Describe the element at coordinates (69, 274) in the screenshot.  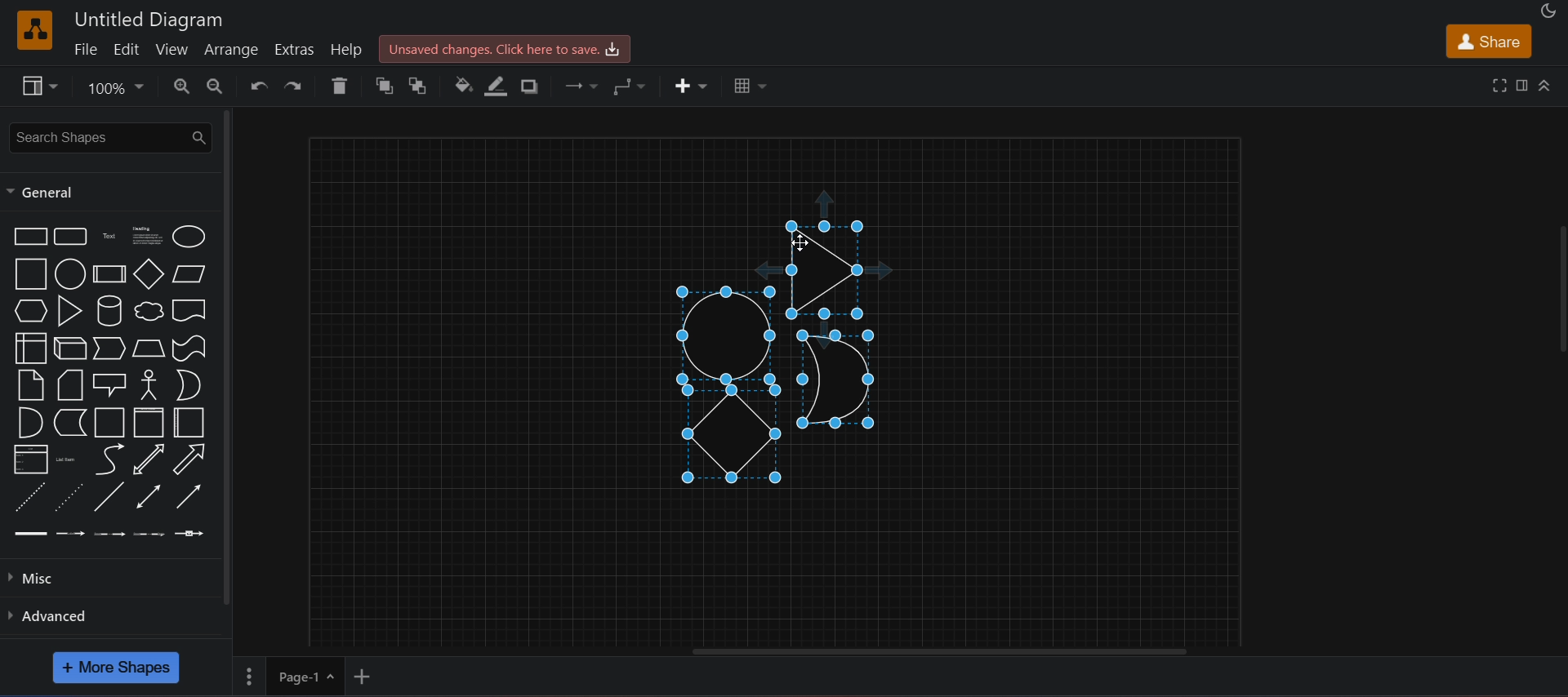
I see `circle` at that location.